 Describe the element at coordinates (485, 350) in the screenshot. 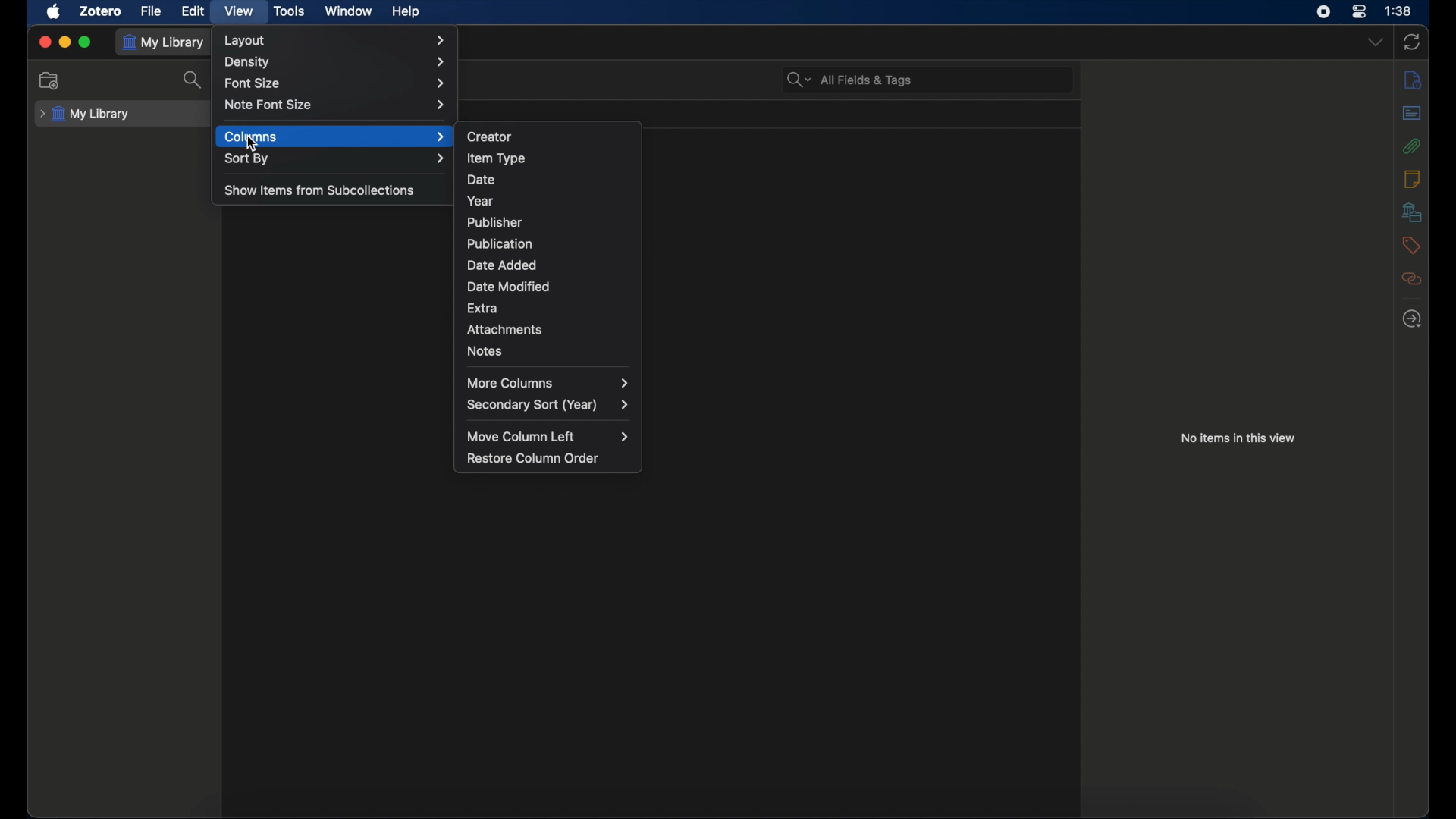

I see `notes` at that location.